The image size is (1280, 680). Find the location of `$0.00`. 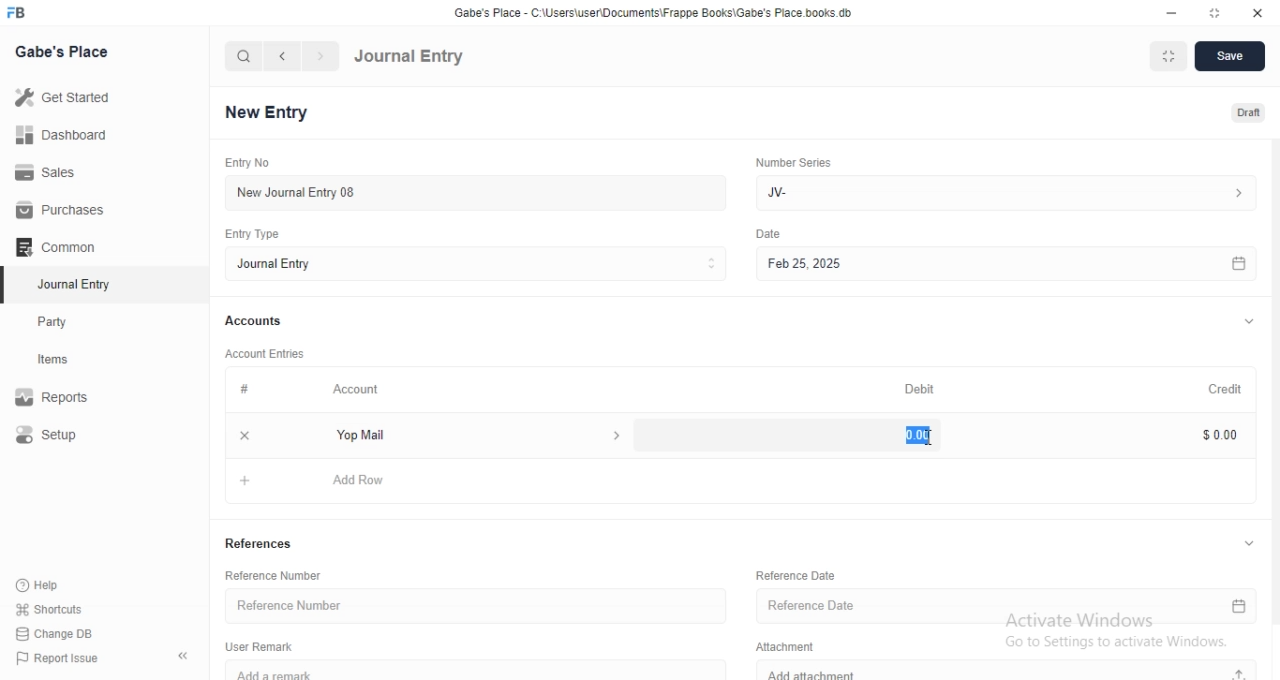

$0.00 is located at coordinates (1210, 434).